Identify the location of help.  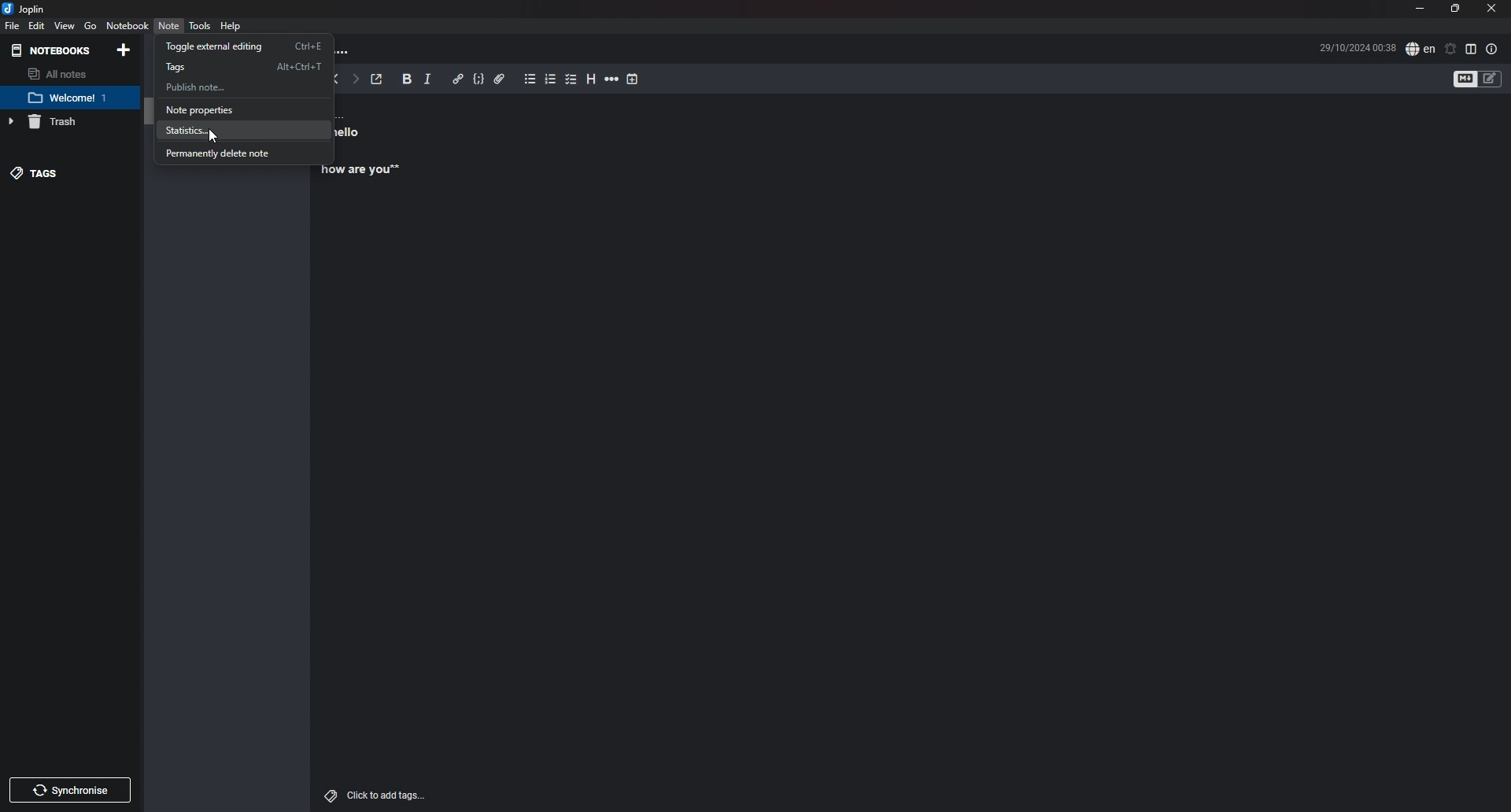
(231, 26).